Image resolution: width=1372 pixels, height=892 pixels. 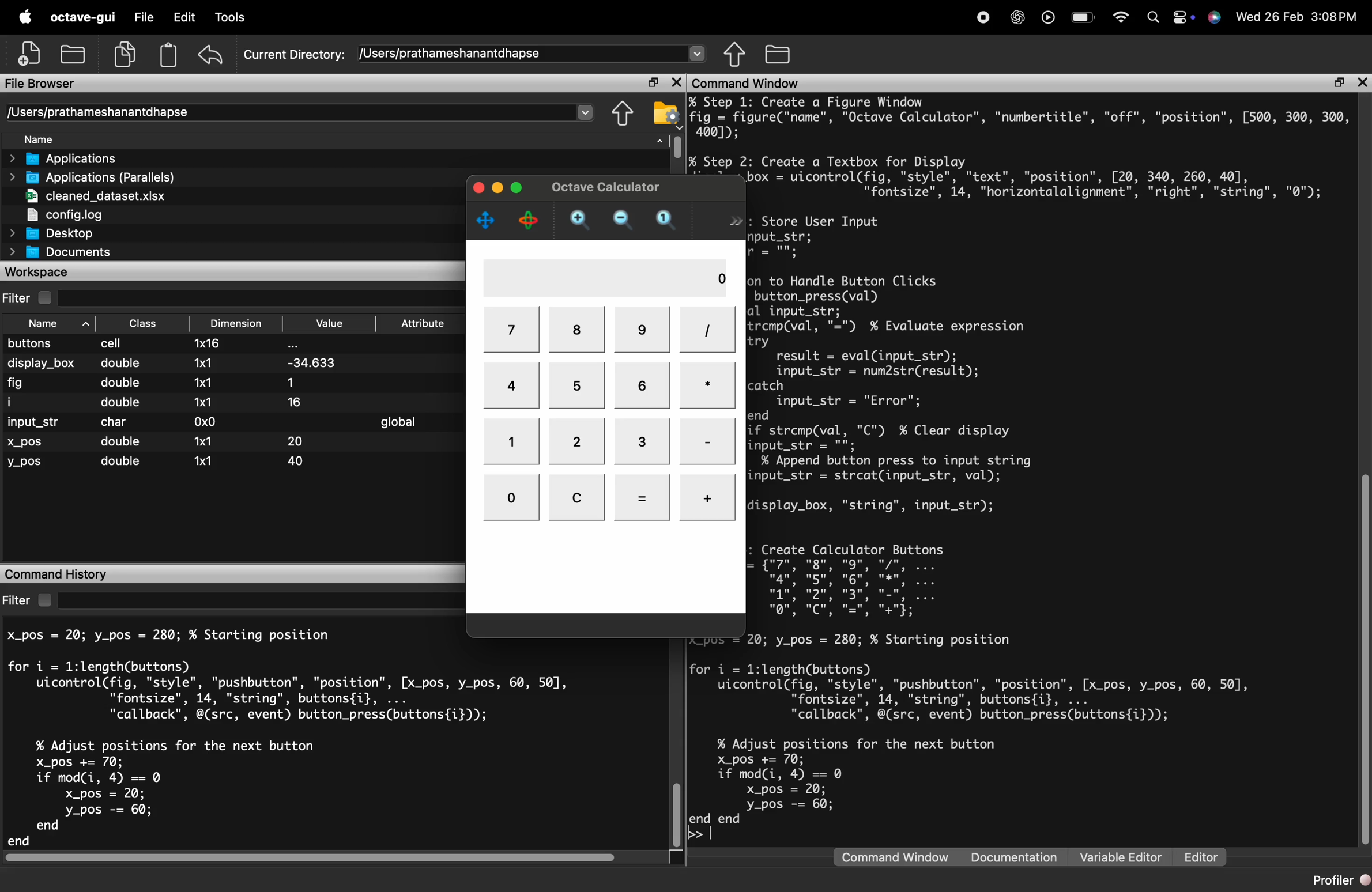 What do you see at coordinates (82, 18) in the screenshot?
I see `octave-gui` at bounding box center [82, 18].